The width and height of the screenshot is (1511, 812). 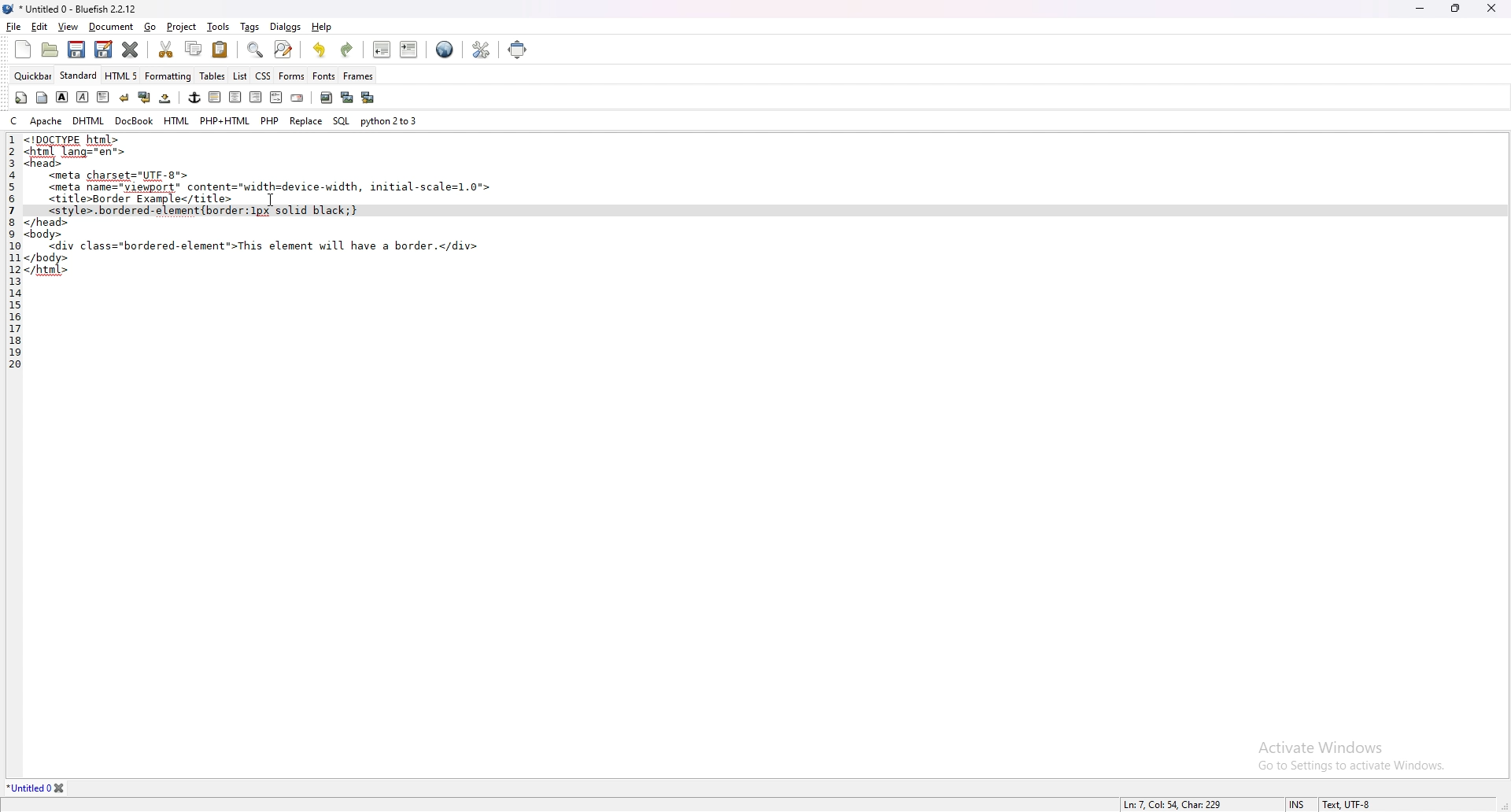 I want to click on save file, so click(x=75, y=50).